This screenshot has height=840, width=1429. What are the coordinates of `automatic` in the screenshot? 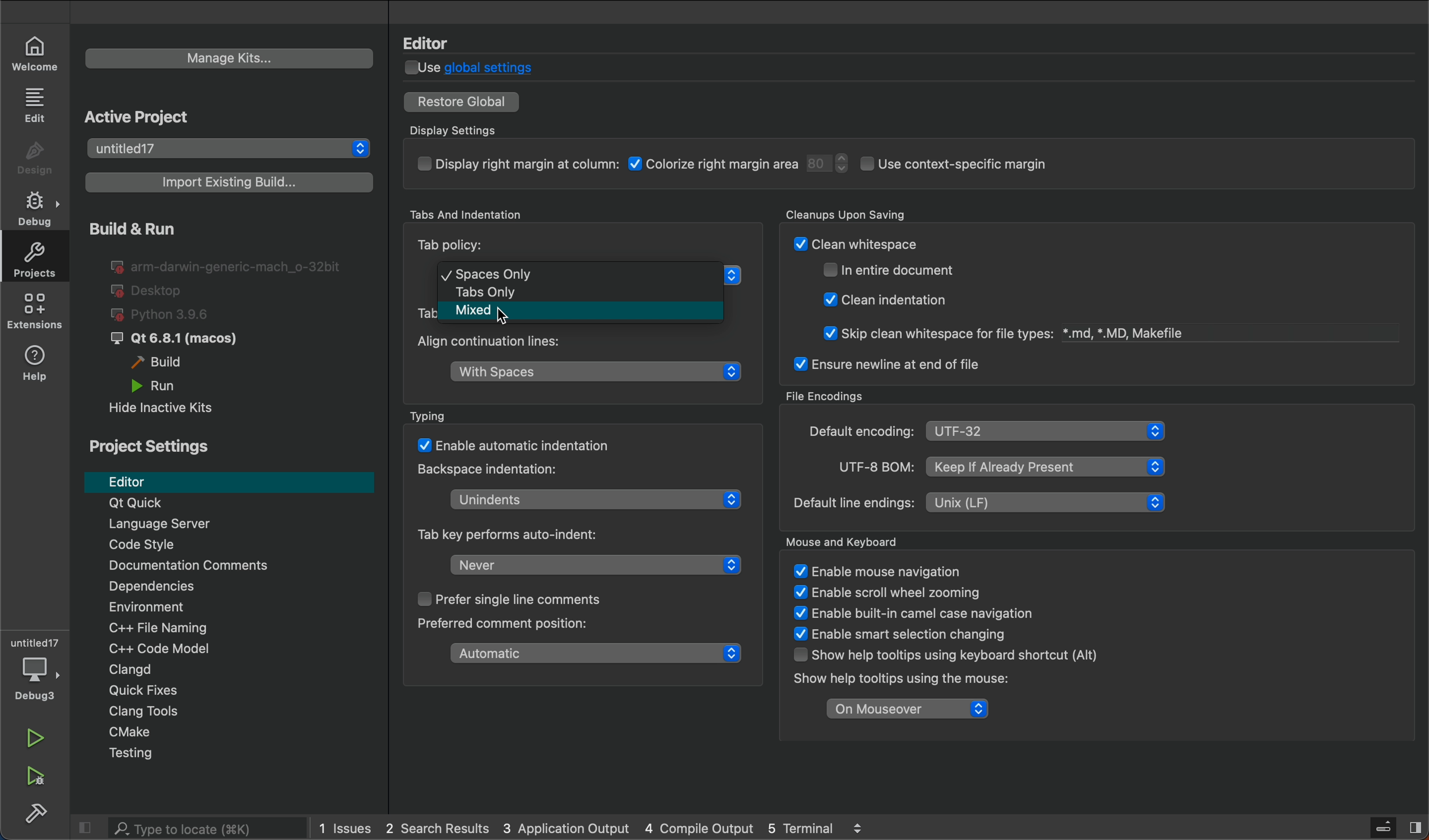 It's located at (589, 656).